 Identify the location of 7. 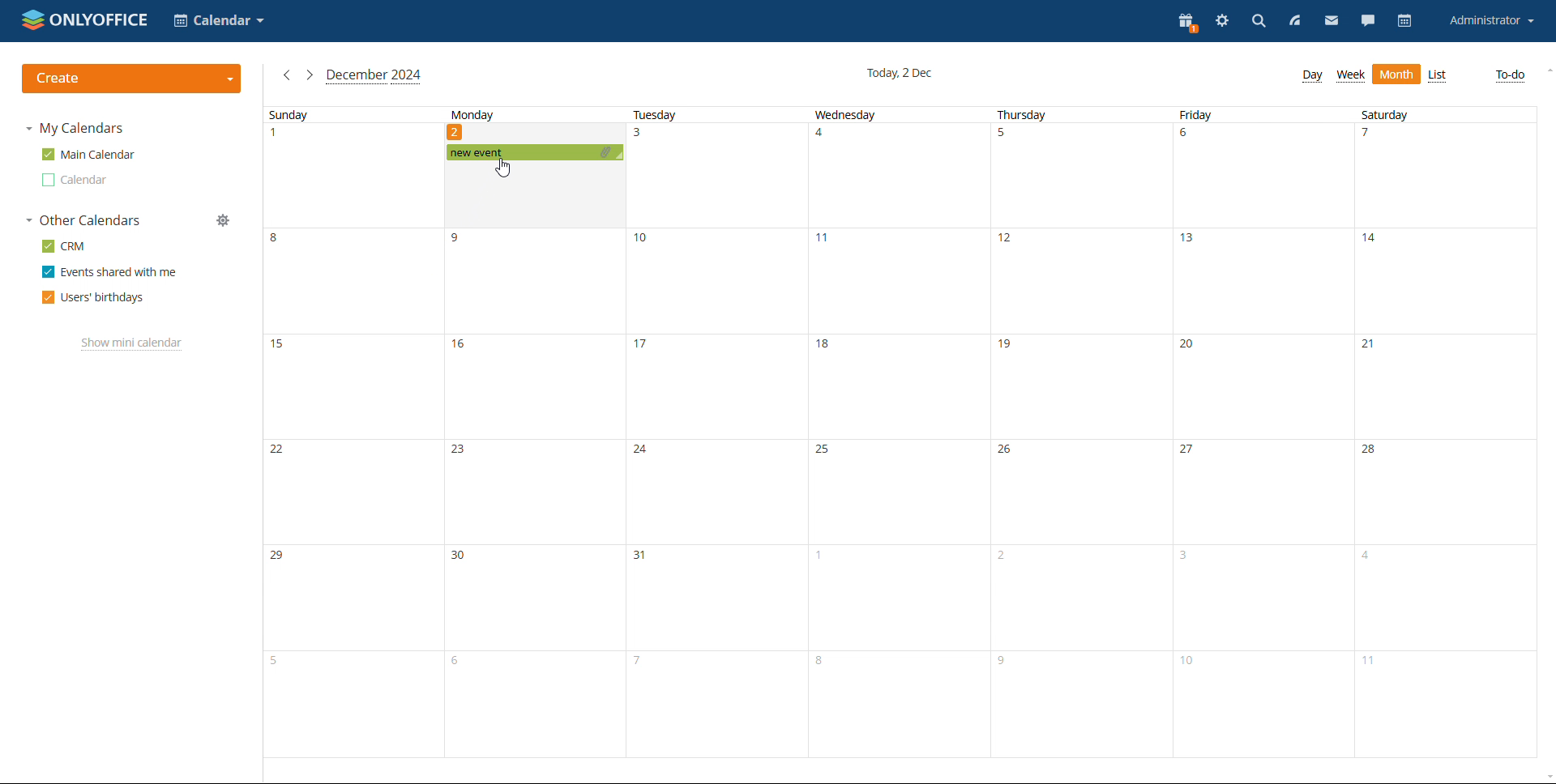
(637, 661).